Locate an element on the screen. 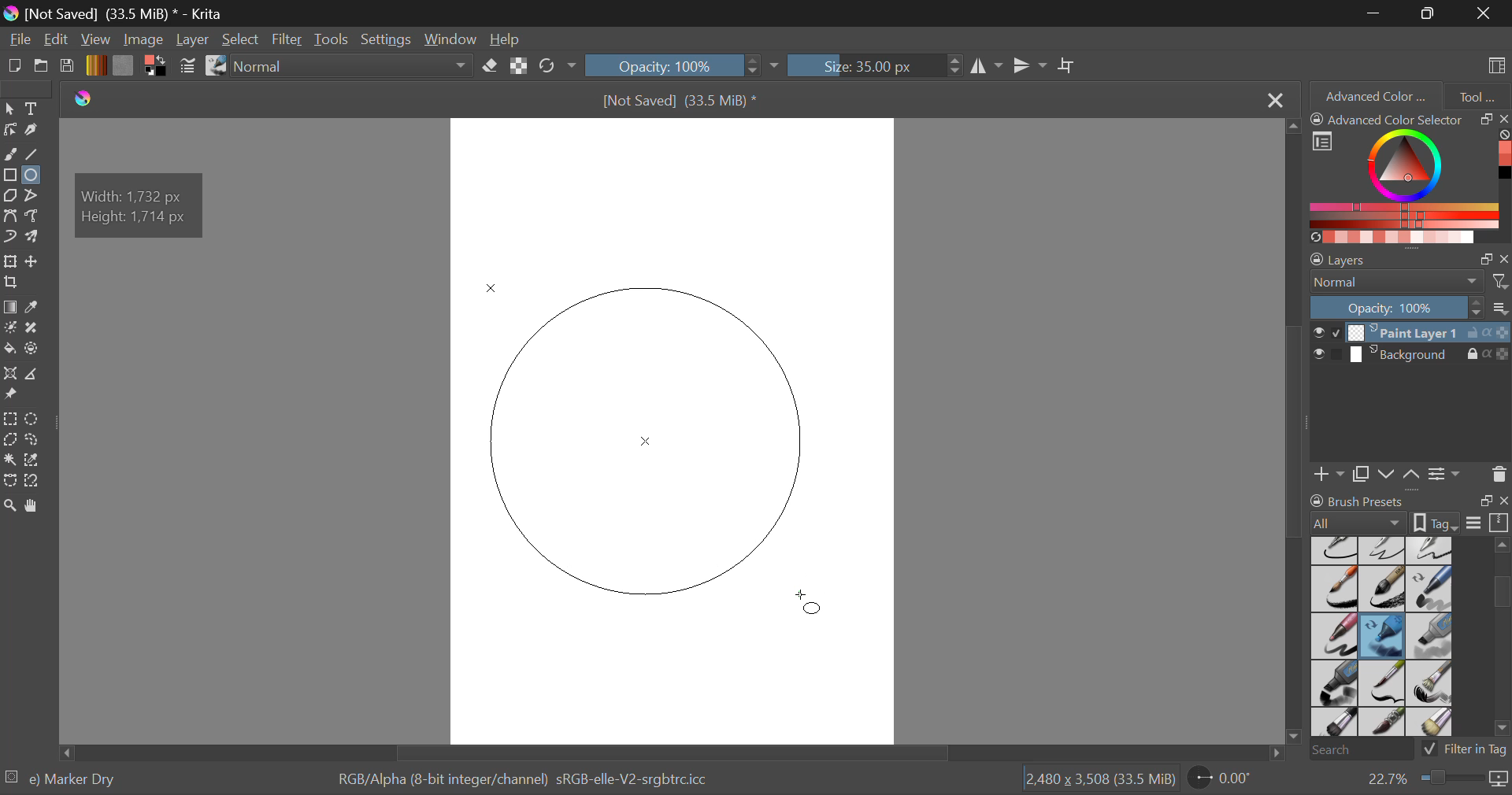  Bristles-2 Flat Rough is located at coordinates (1432, 684).